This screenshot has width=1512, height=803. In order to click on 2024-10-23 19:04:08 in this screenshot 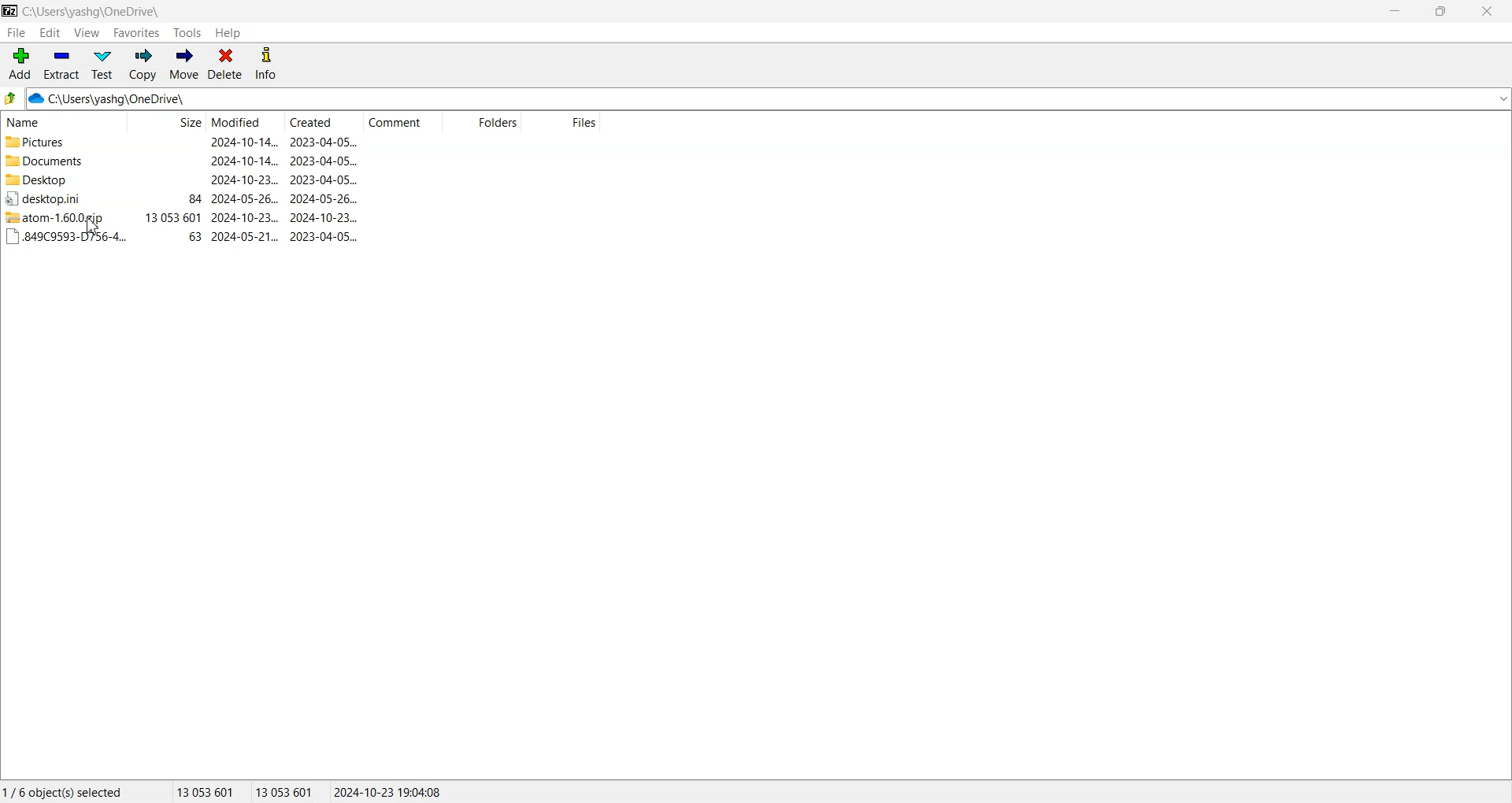, I will do `click(389, 791)`.